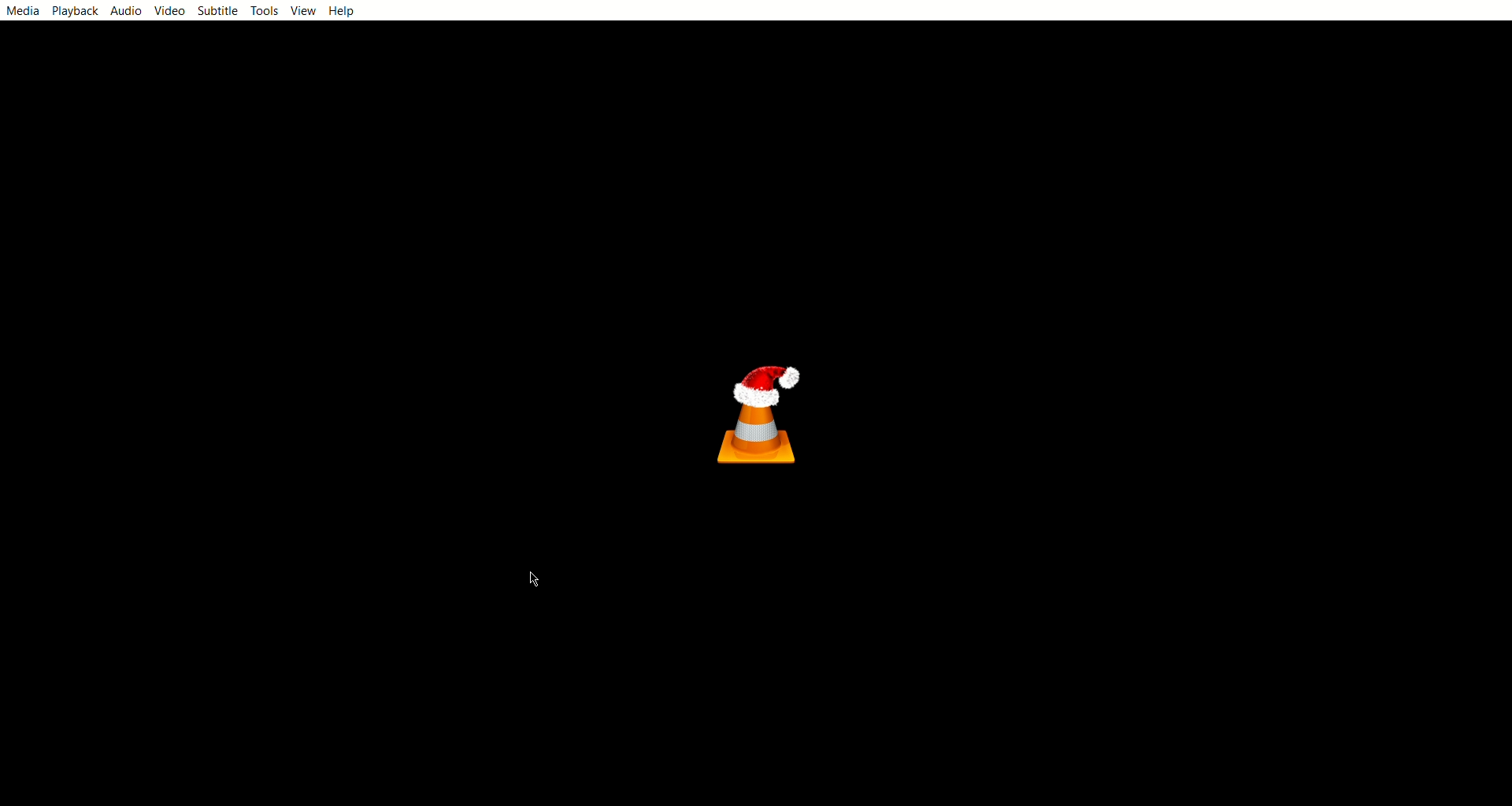 This screenshot has height=806, width=1512. What do you see at coordinates (265, 11) in the screenshot?
I see `tools` at bounding box center [265, 11].